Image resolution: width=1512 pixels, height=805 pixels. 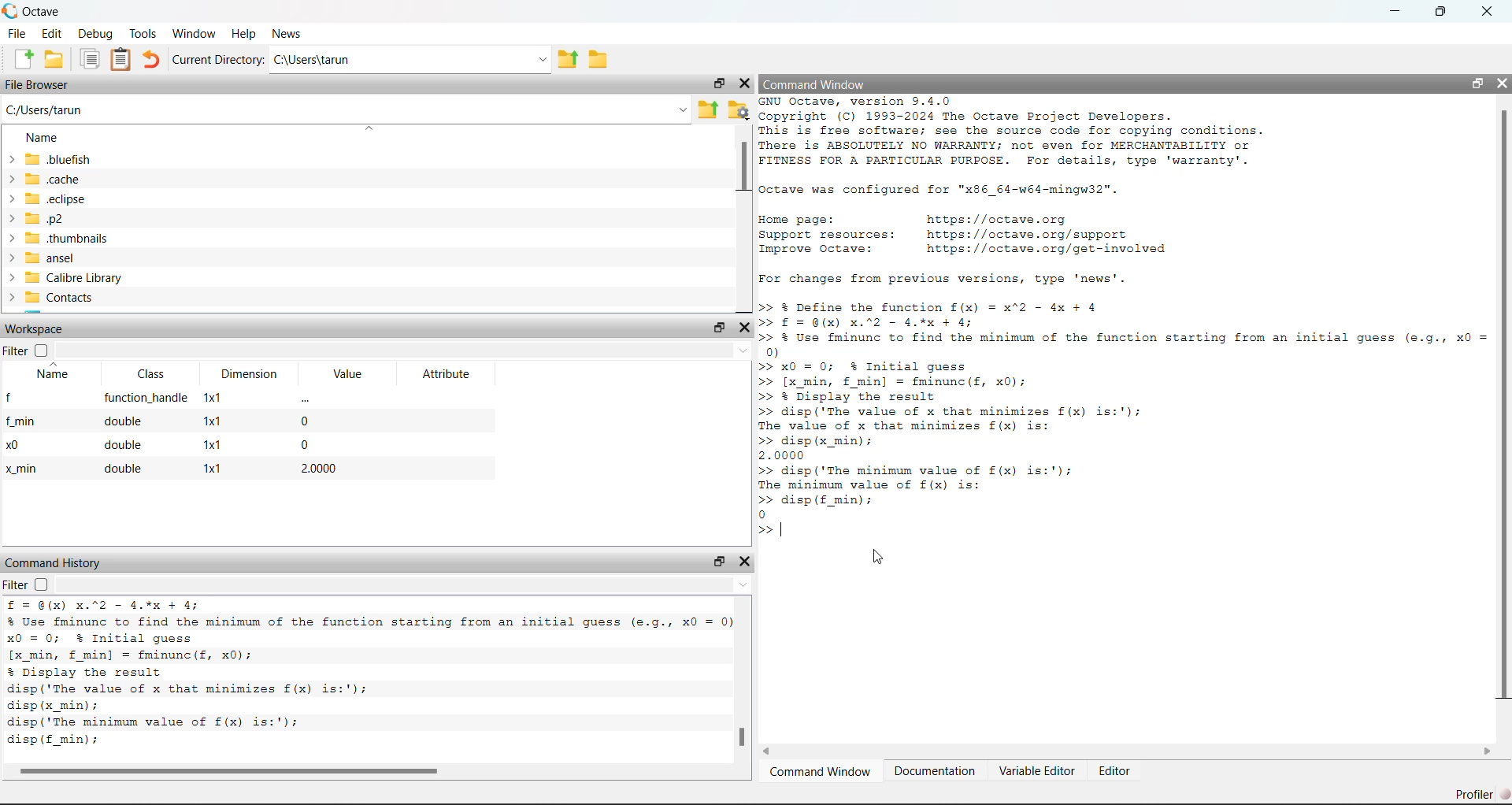 I want to click on New script, so click(x=24, y=59).